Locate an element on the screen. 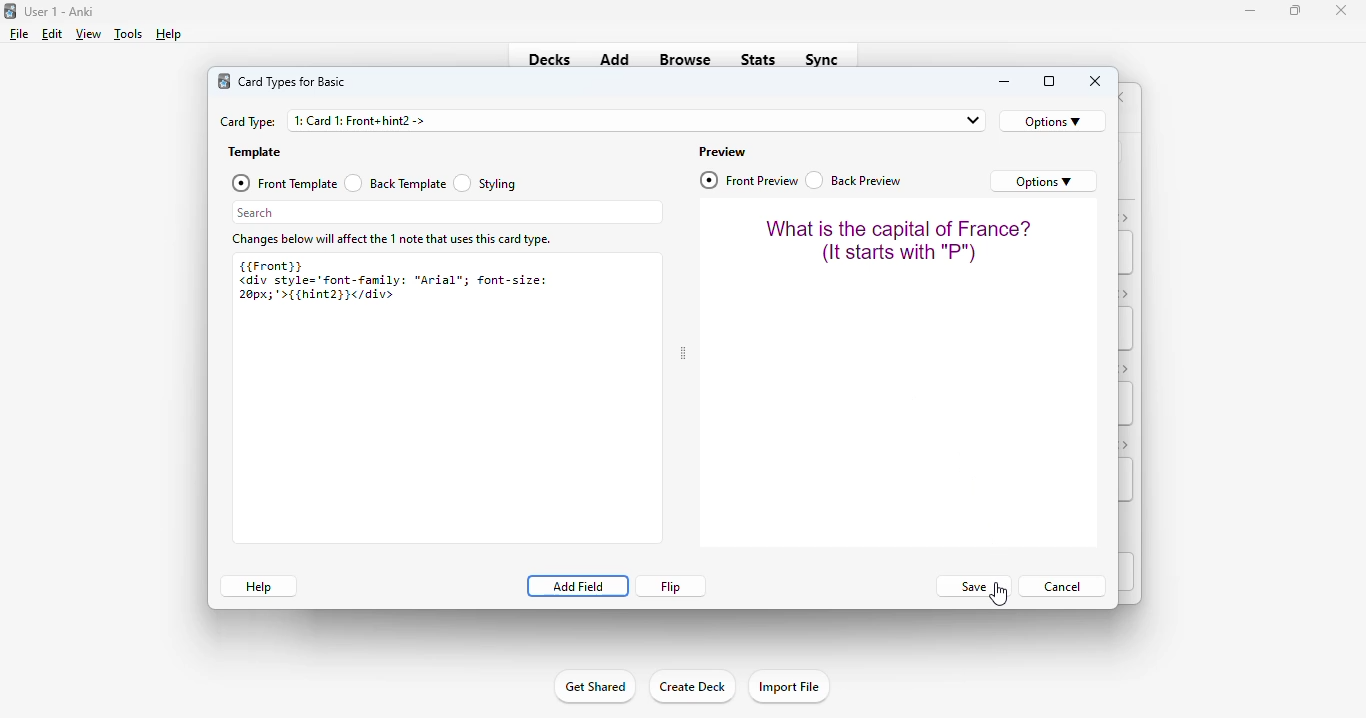 This screenshot has width=1366, height=718. {{Front}} is located at coordinates (271, 264).